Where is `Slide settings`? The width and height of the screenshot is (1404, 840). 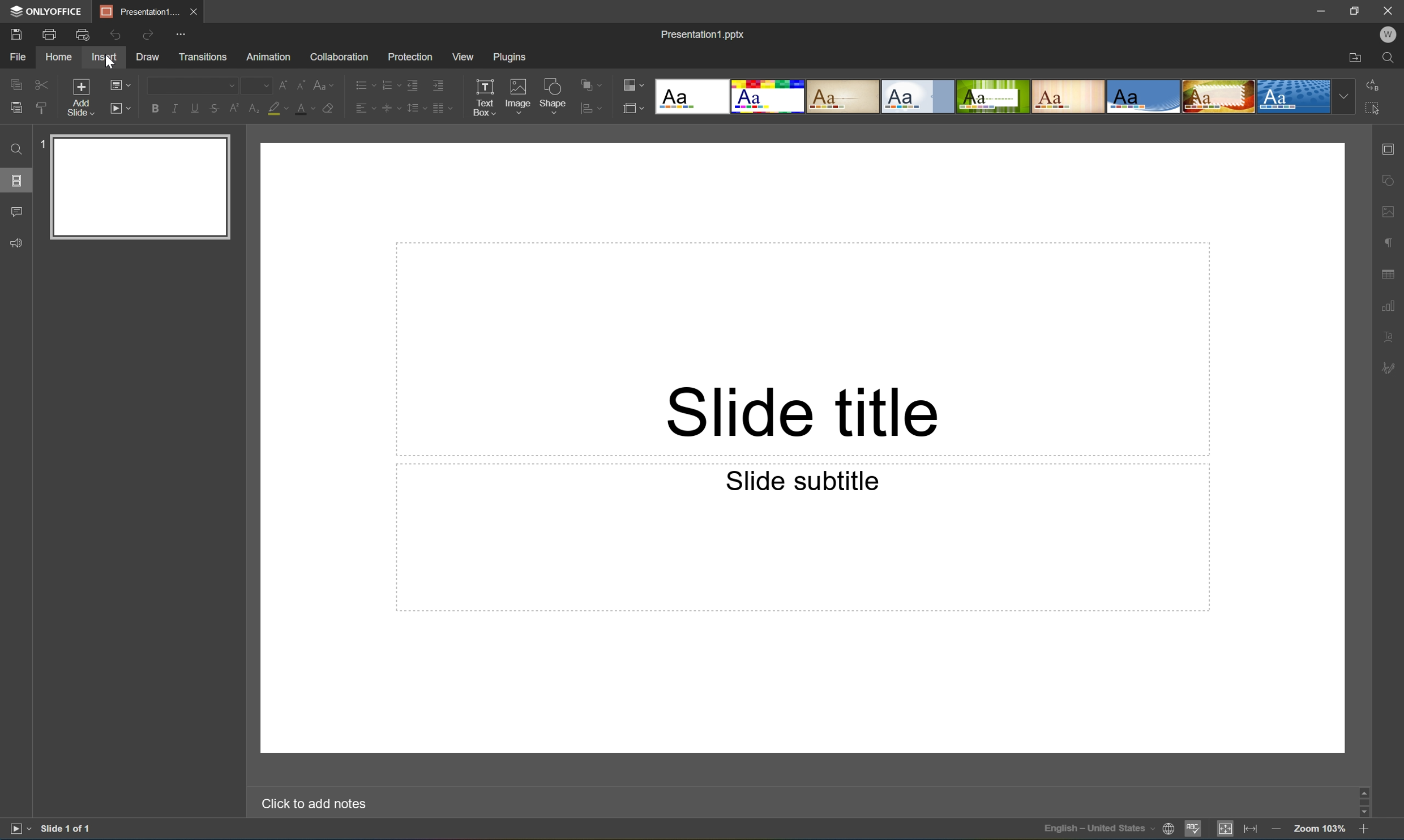 Slide settings is located at coordinates (1393, 148).